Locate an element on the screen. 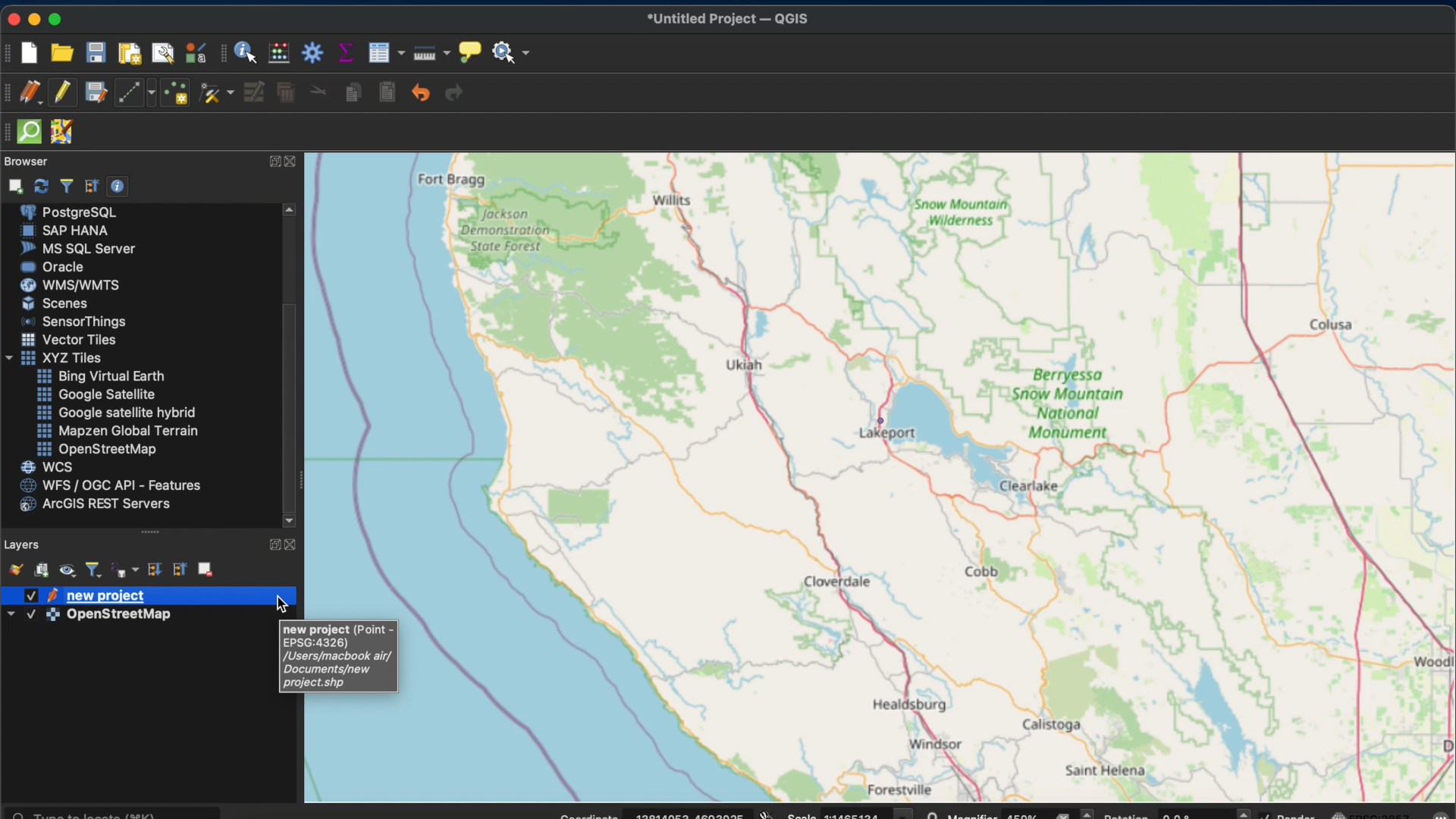  new project is located at coordinates (33, 54).